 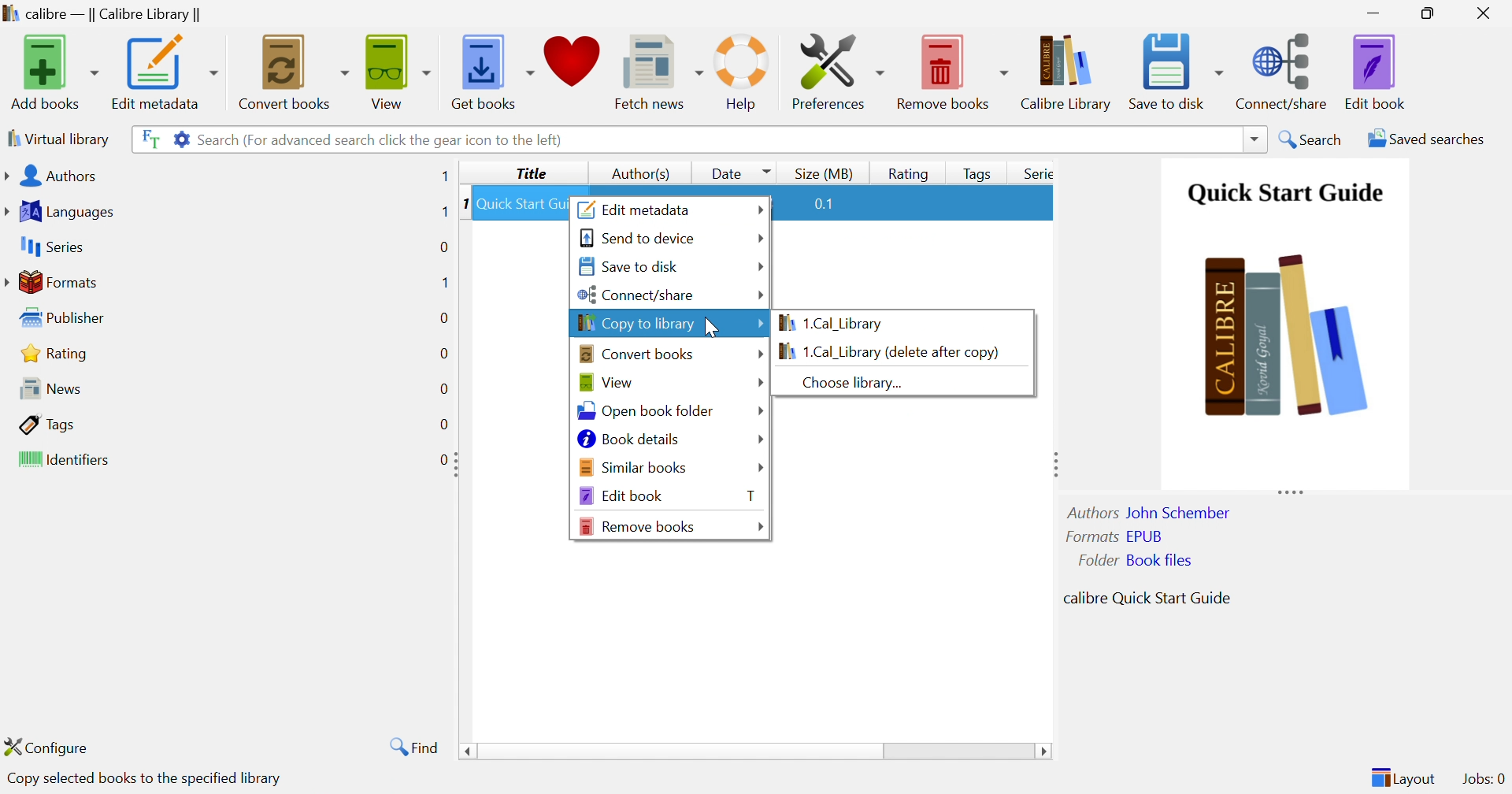 I want to click on Tags, so click(x=46, y=422).